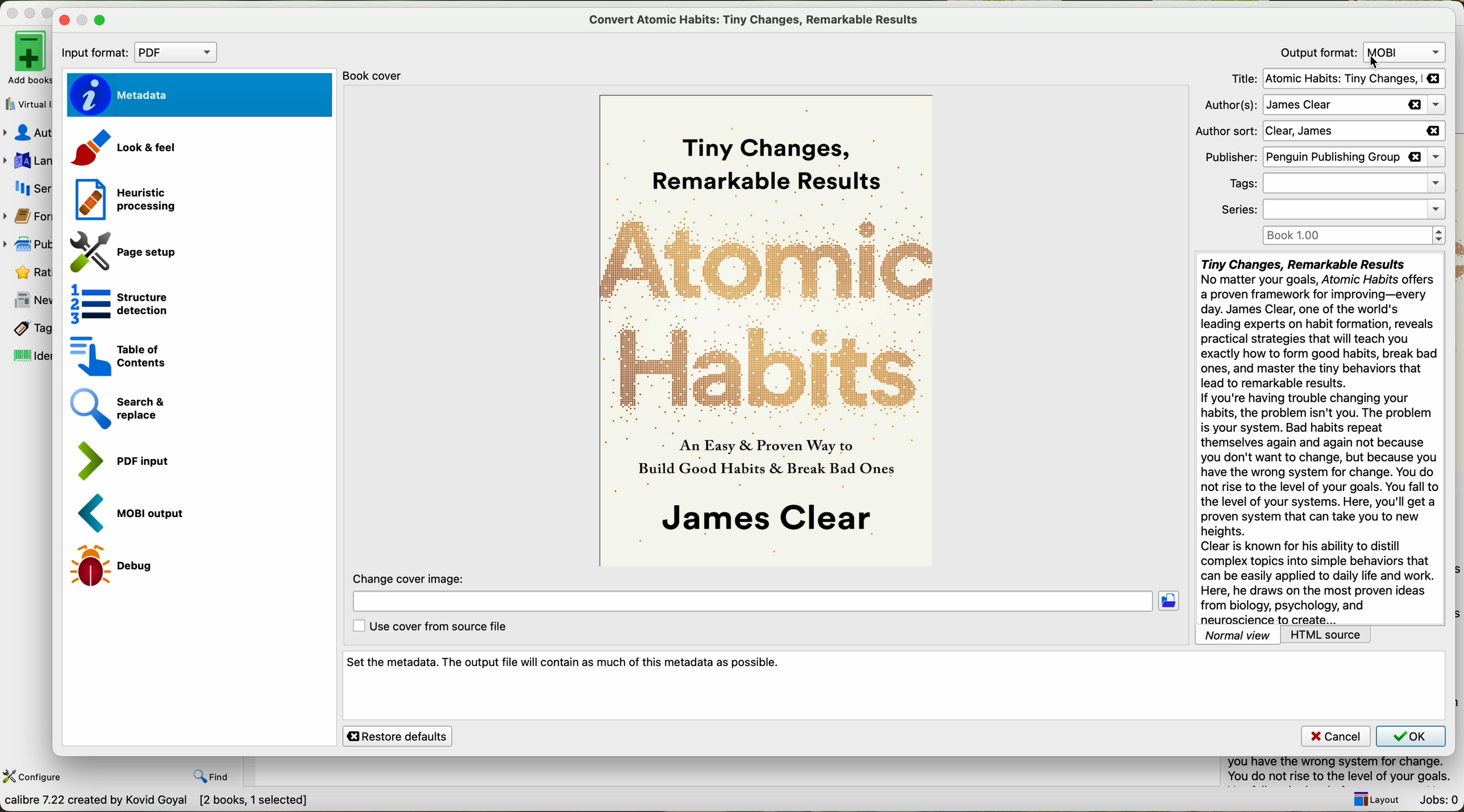  I want to click on find, so click(211, 776).